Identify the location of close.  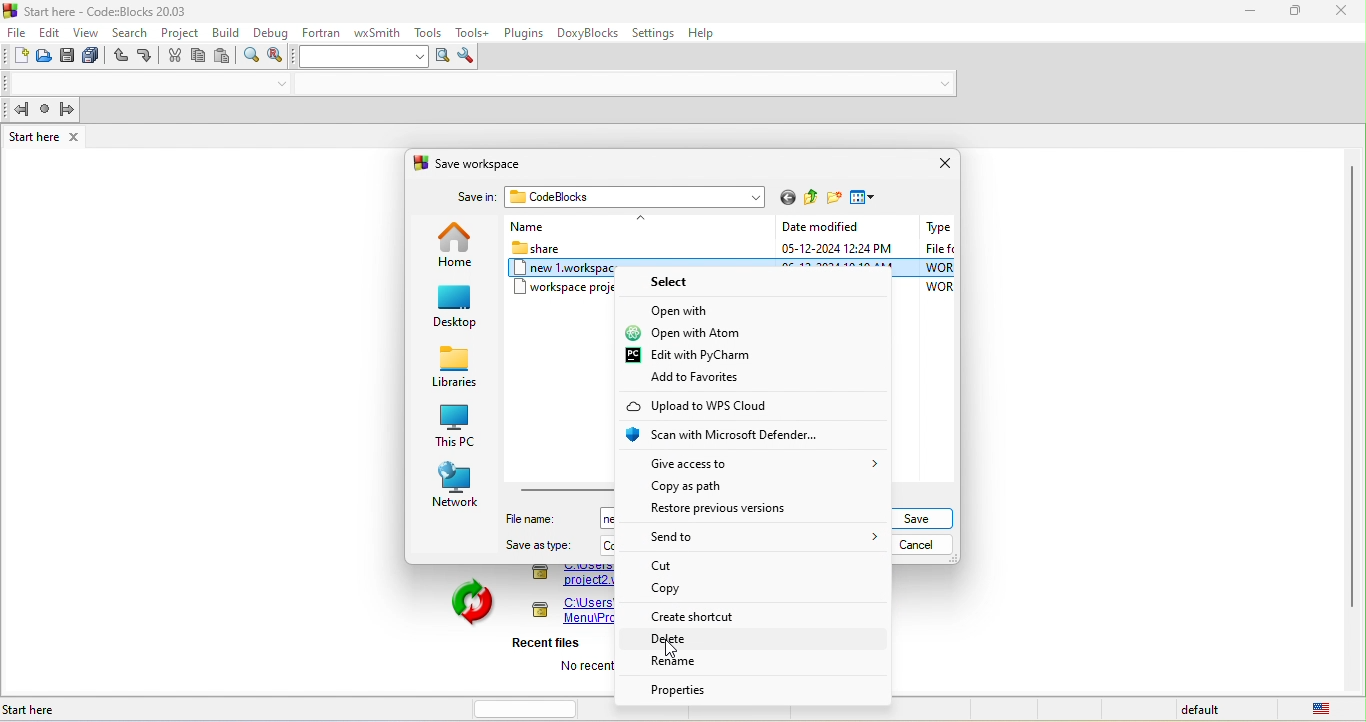
(1343, 14).